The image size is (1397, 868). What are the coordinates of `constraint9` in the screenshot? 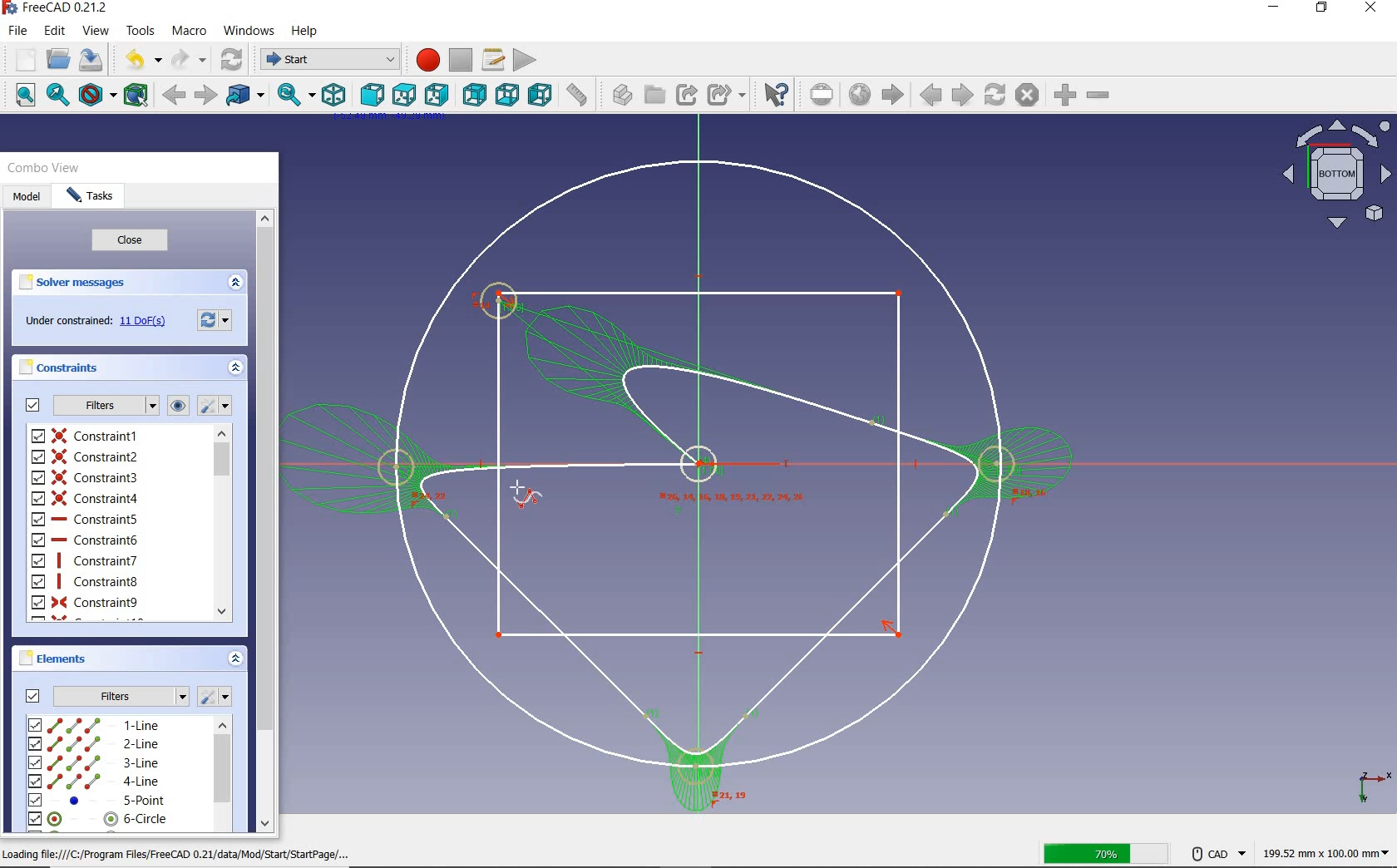 It's located at (86, 603).